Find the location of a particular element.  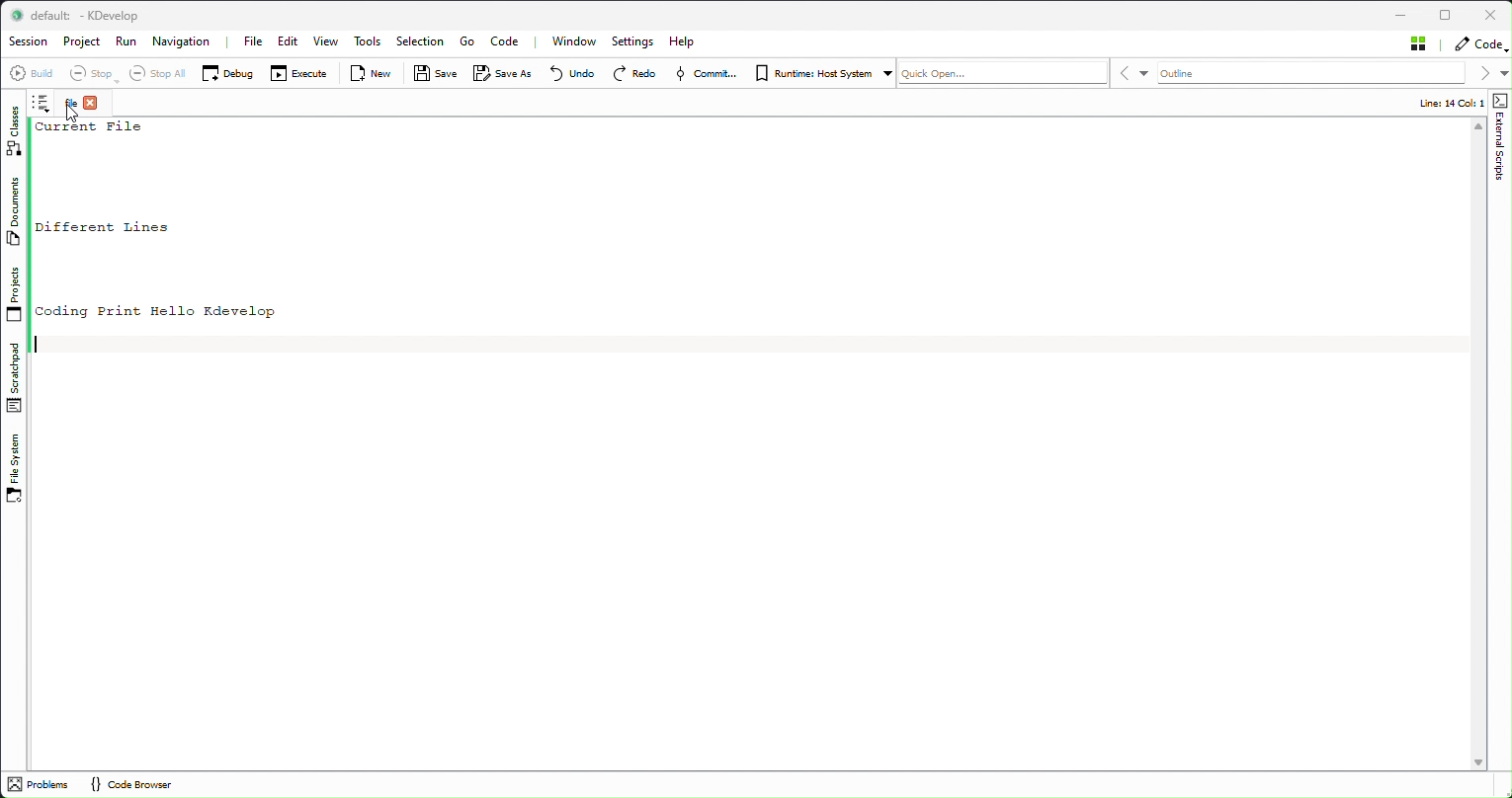

Commit is located at coordinates (712, 71).